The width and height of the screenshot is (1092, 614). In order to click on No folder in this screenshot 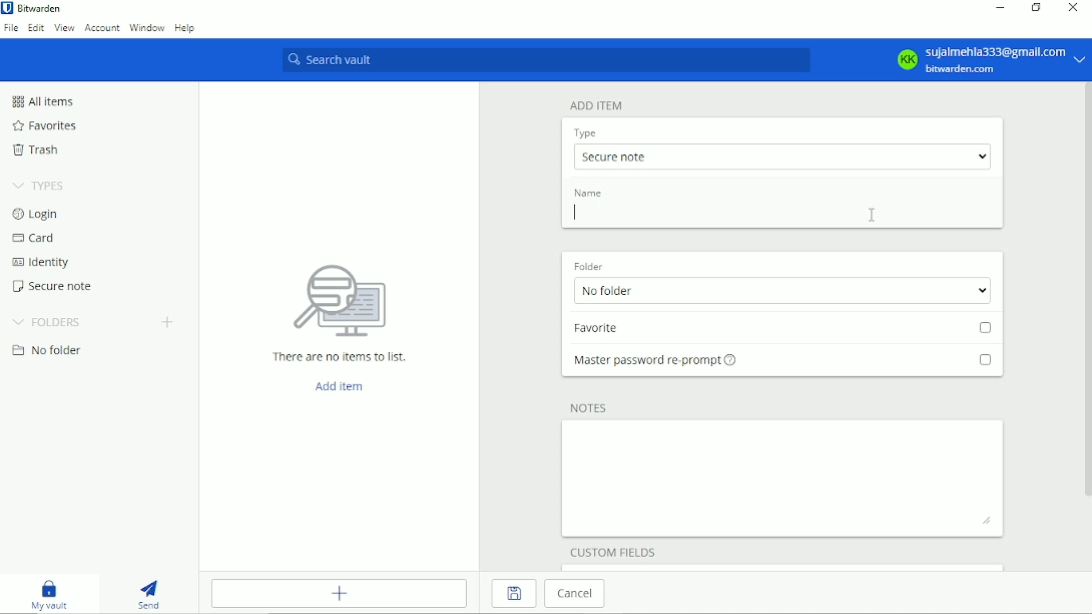, I will do `click(47, 351)`.